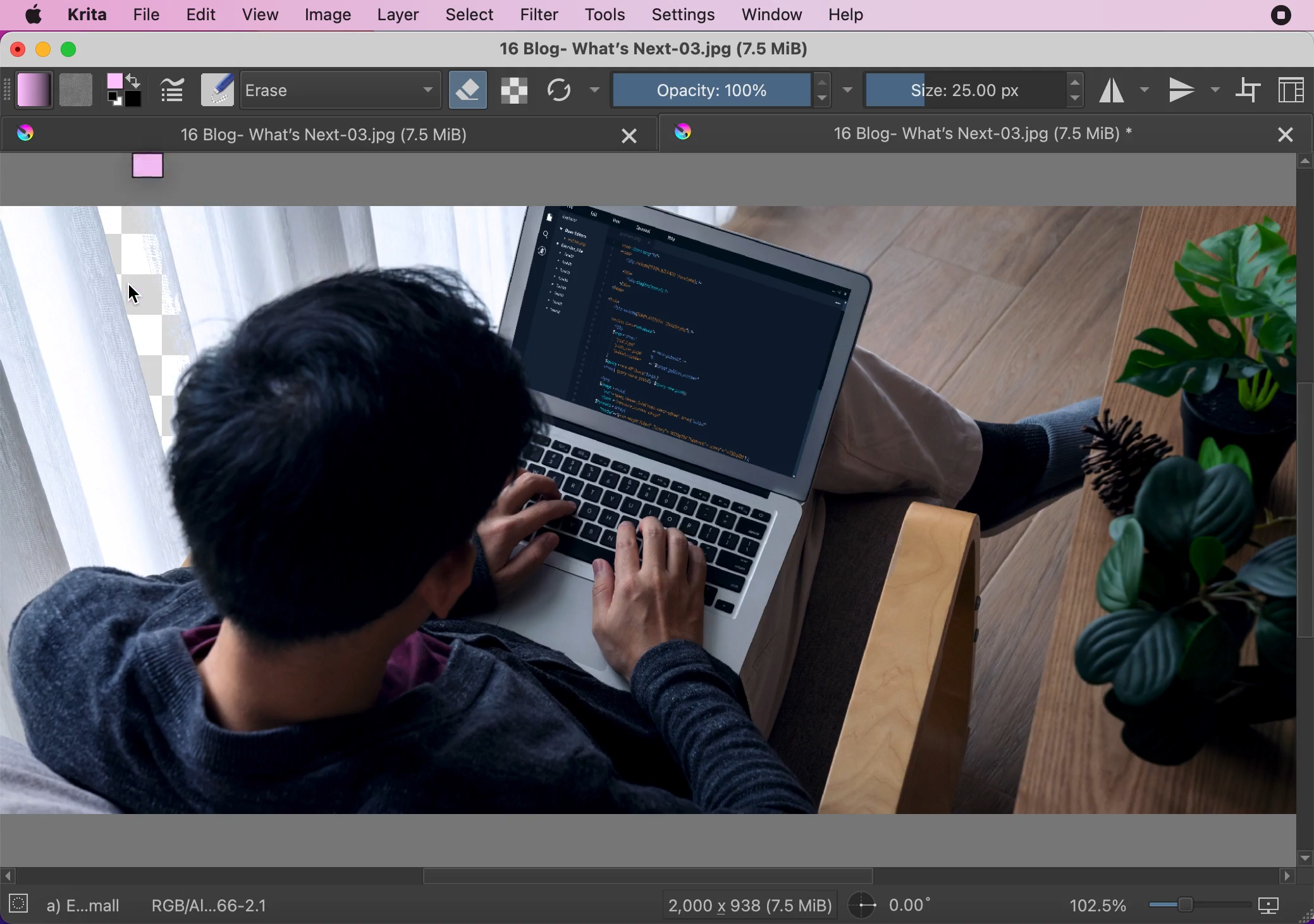 This screenshot has width=1314, height=924. I want to click on filter, so click(544, 16).